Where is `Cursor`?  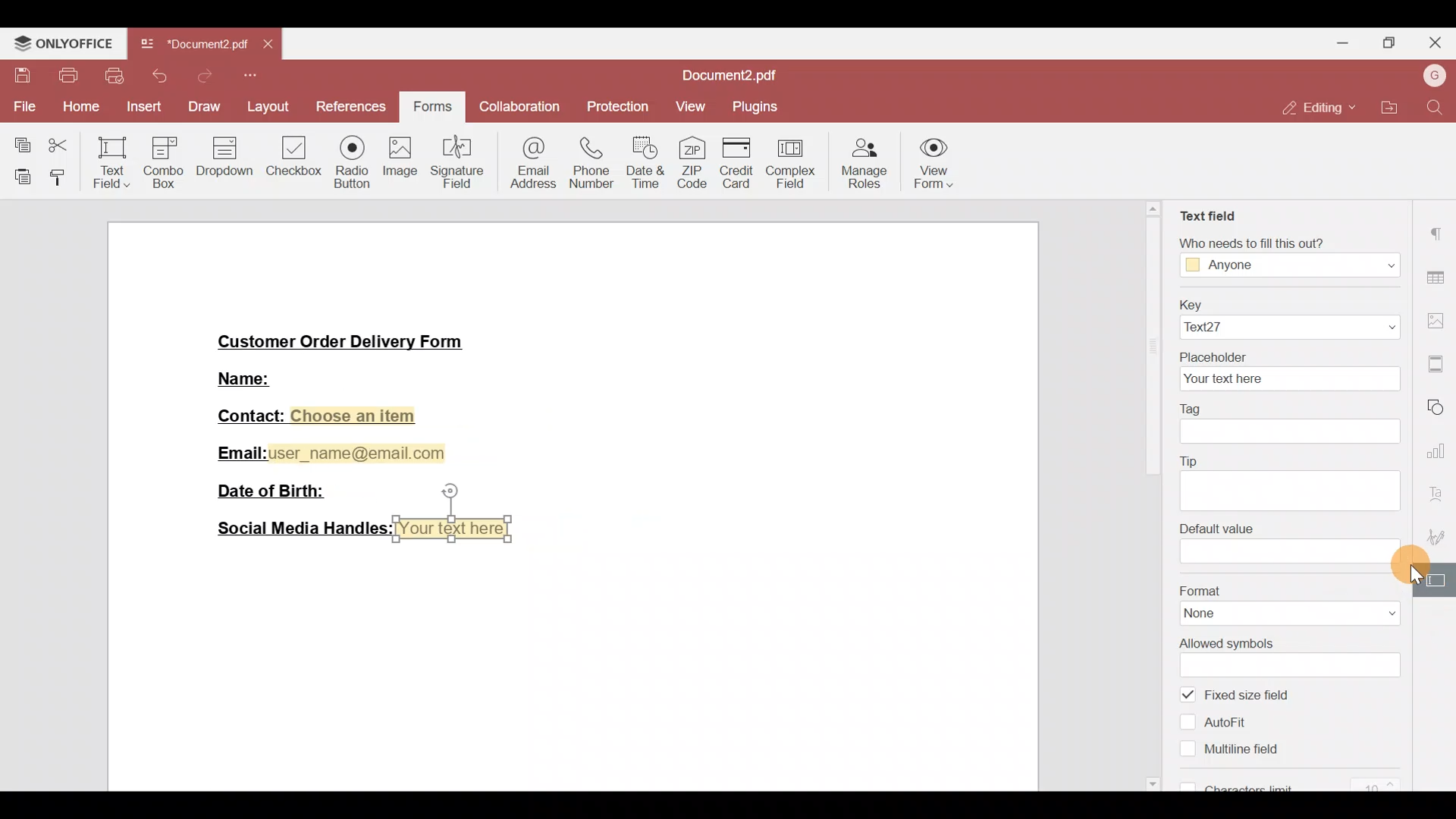 Cursor is located at coordinates (1410, 566).